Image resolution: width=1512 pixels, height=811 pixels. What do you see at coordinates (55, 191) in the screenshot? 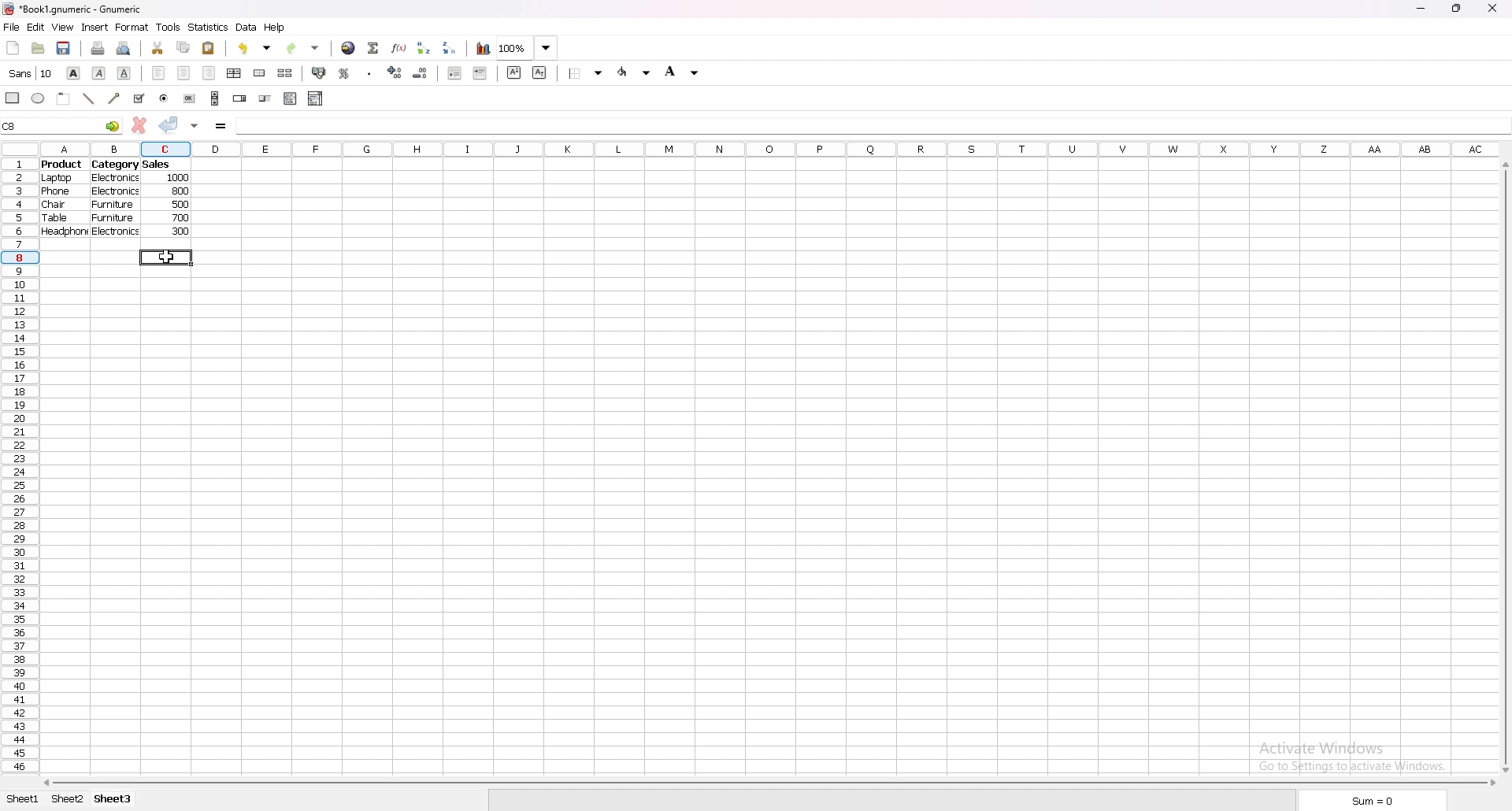
I see `phone` at bounding box center [55, 191].